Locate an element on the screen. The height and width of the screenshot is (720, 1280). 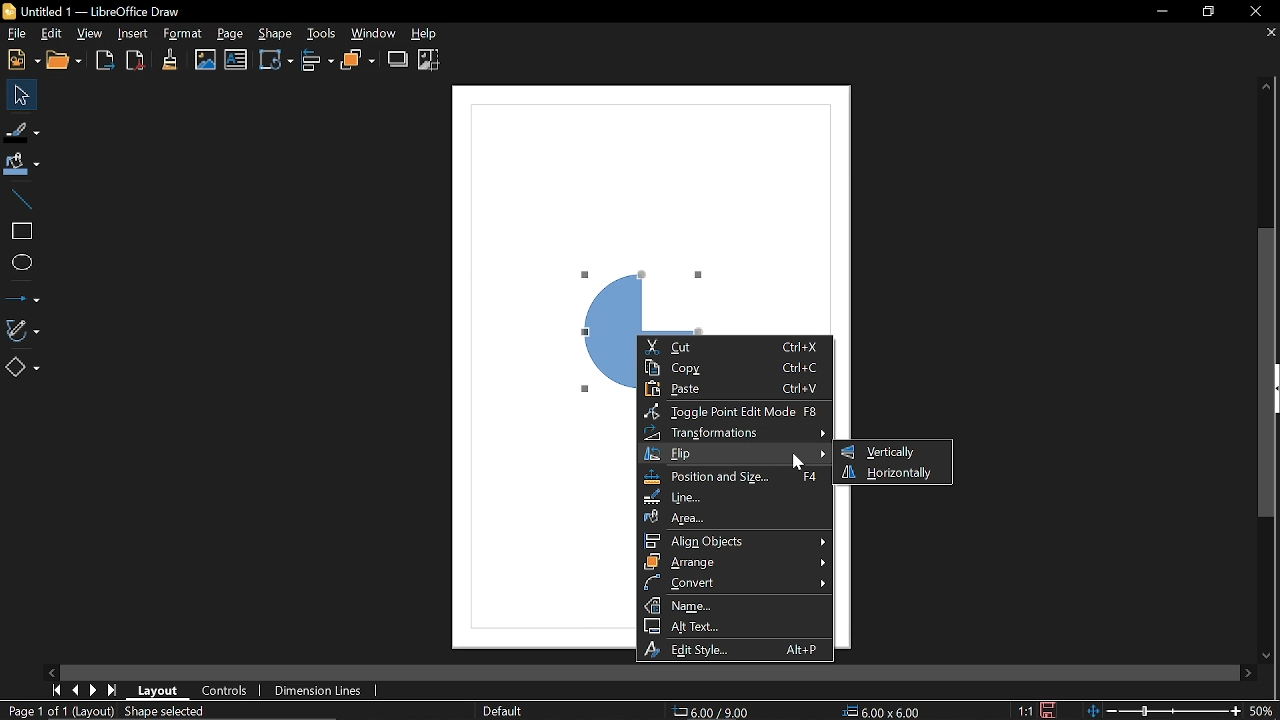
Move down is located at coordinates (1270, 654).